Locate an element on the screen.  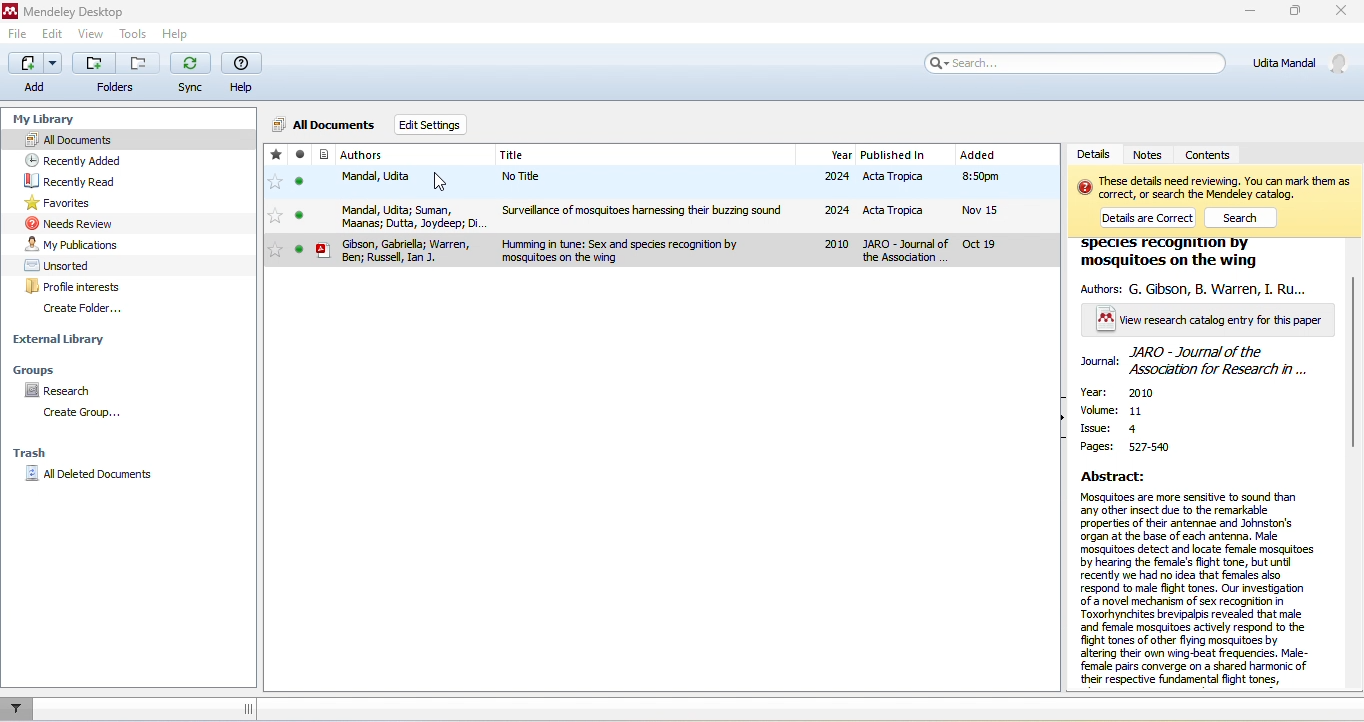
year: 2020 is located at coordinates (1121, 392).